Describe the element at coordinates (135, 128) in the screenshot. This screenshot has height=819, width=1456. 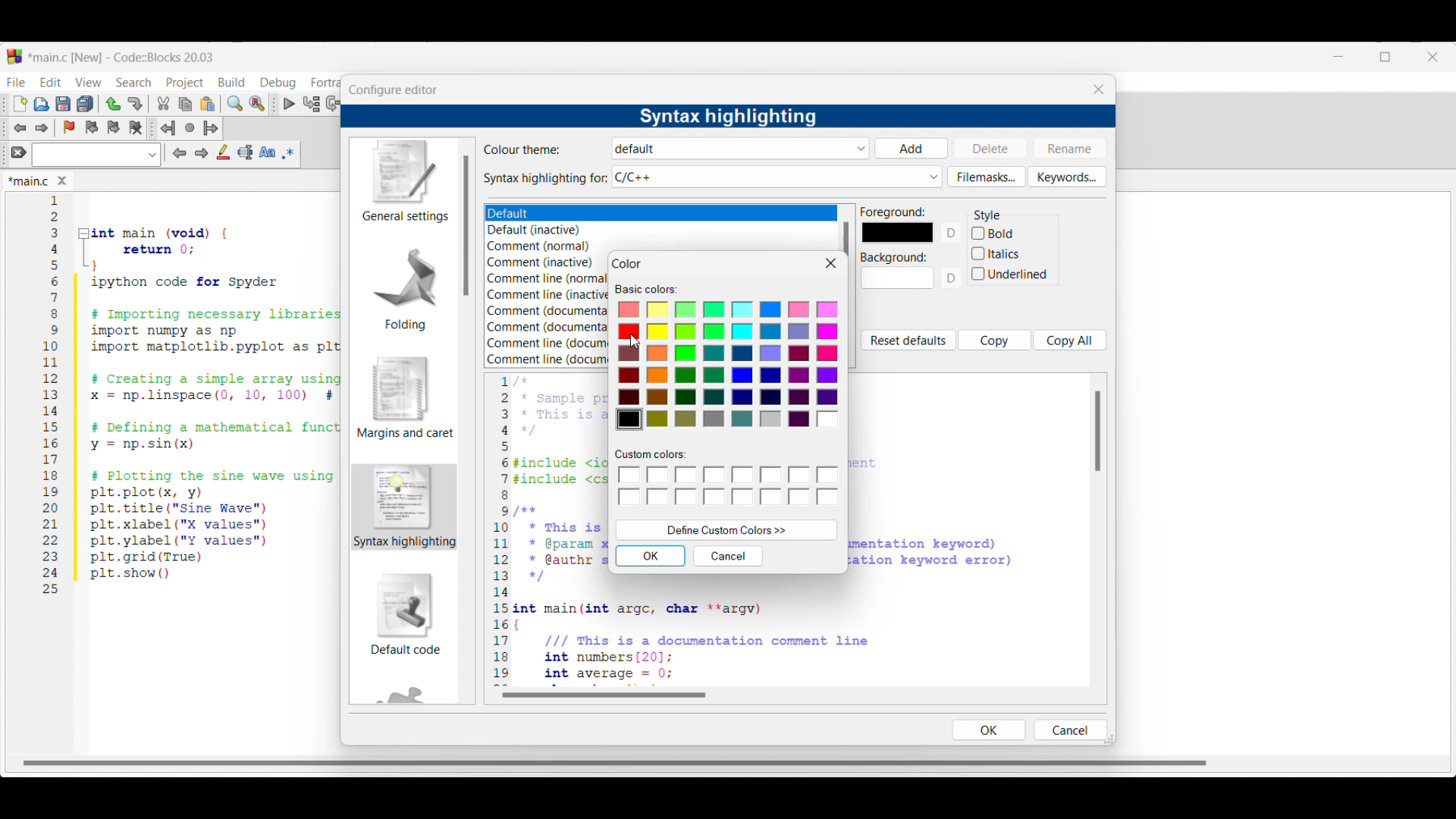
I see `Clear bookmarks` at that location.